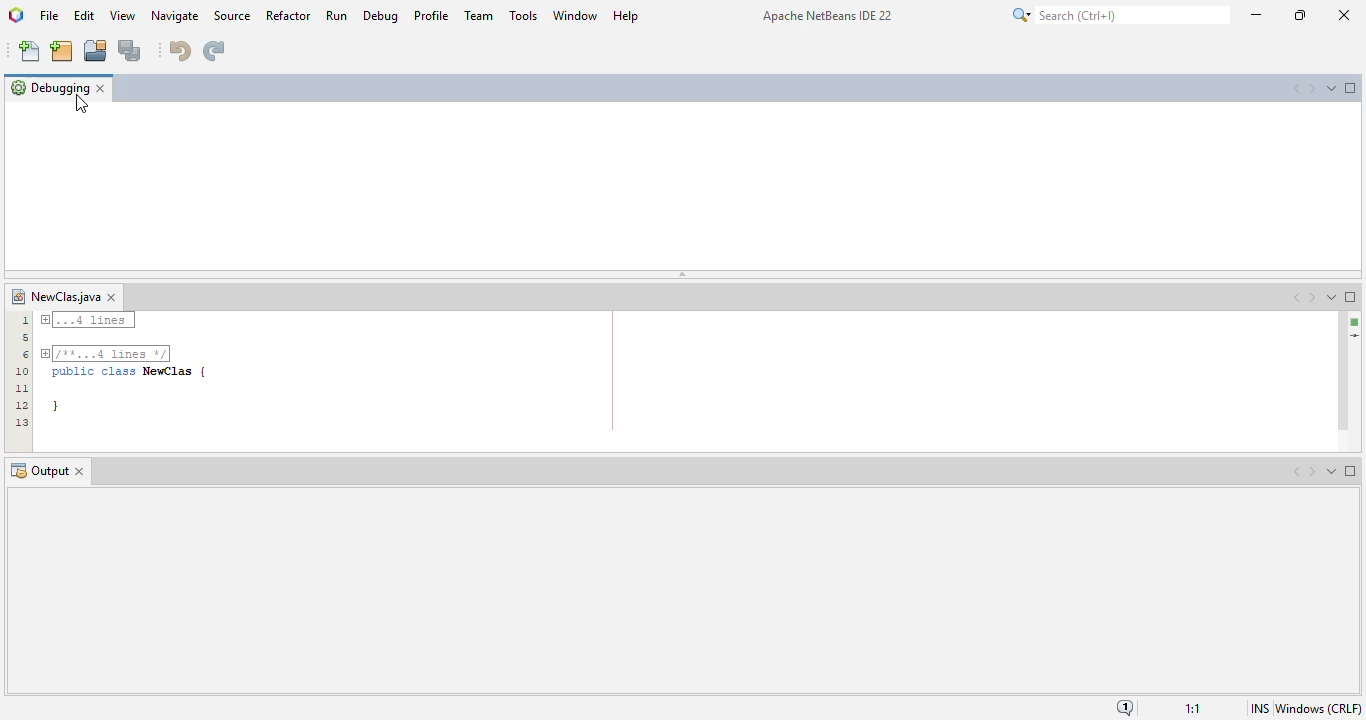  I want to click on tools, so click(524, 14).